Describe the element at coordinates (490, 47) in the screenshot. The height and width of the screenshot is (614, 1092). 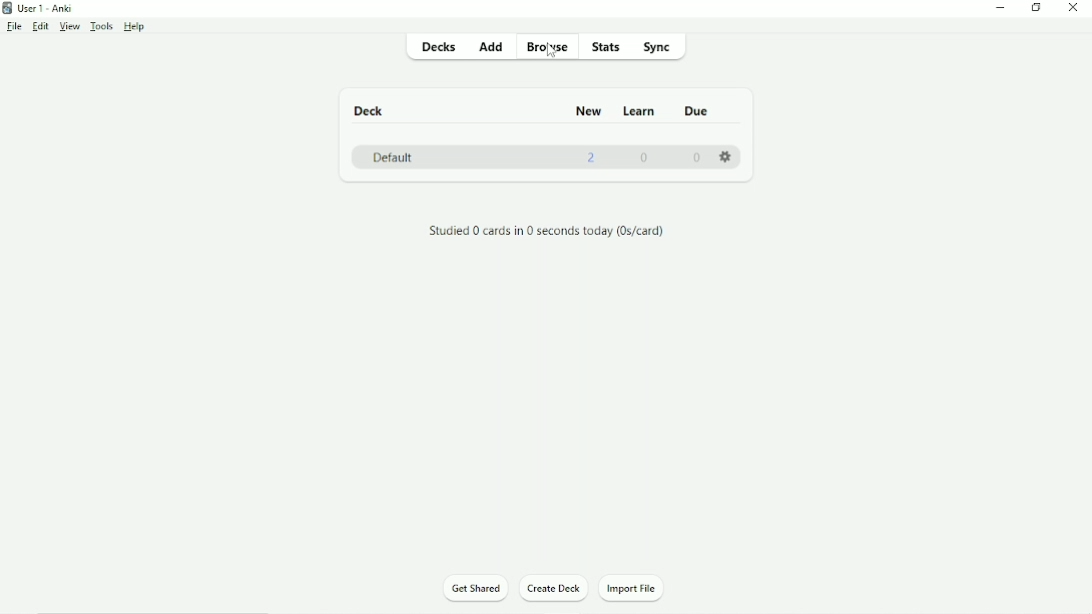
I see `Add` at that location.